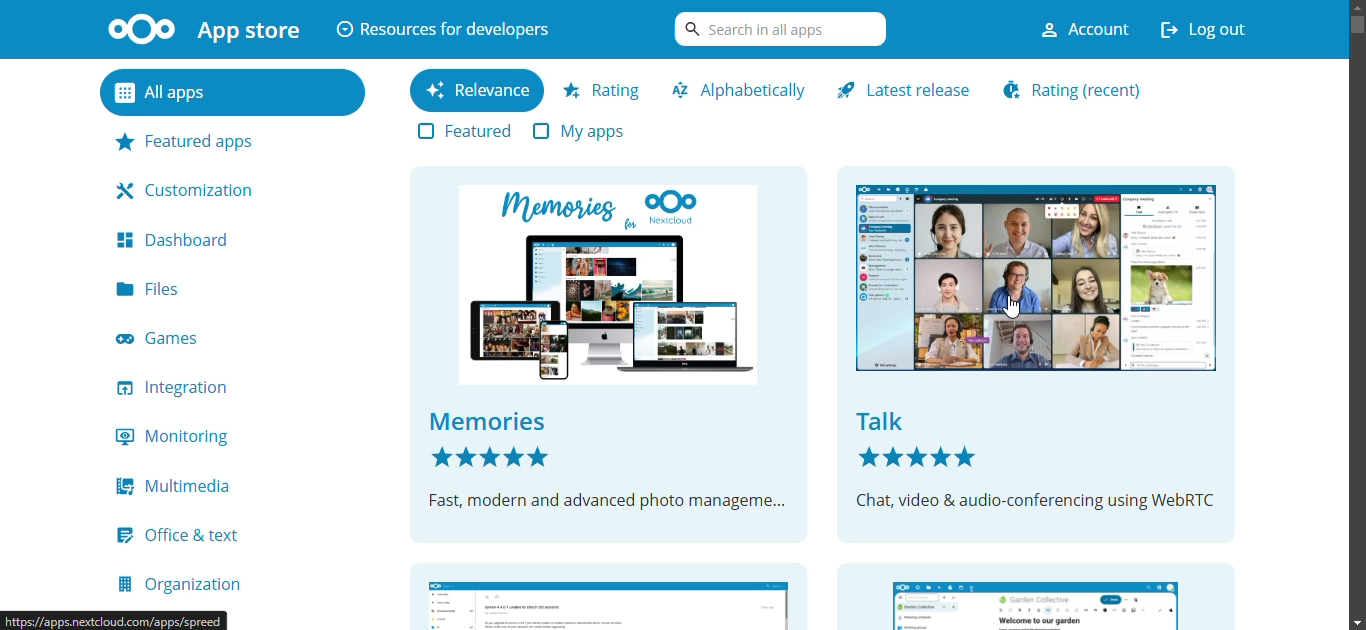 This screenshot has height=630, width=1366. What do you see at coordinates (1032, 351) in the screenshot?
I see `app interface` at bounding box center [1032, 351].